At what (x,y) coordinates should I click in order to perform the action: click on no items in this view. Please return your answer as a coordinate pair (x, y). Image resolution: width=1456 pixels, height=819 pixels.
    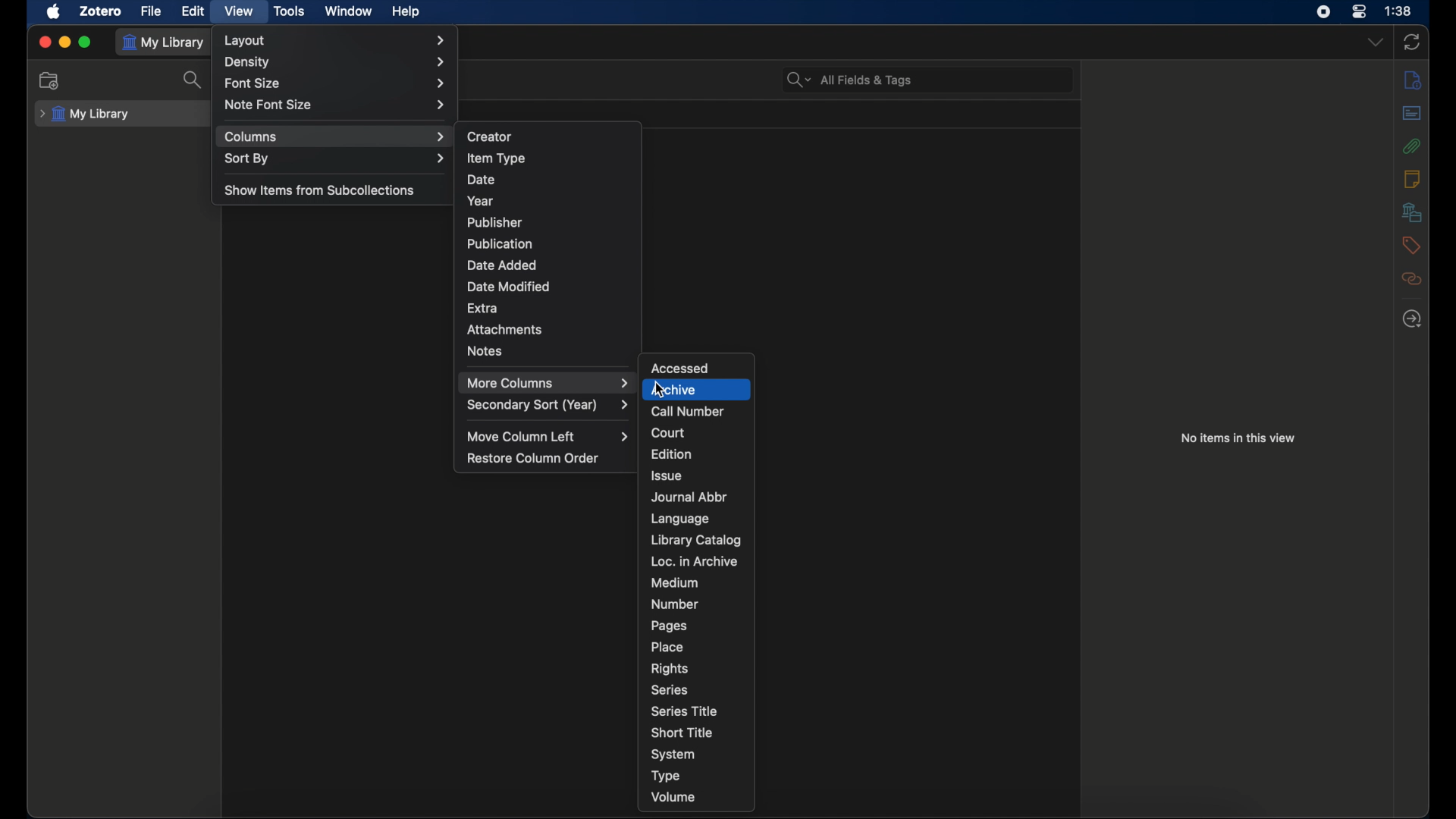
    Looking at the image, I should click on (1238, 438).